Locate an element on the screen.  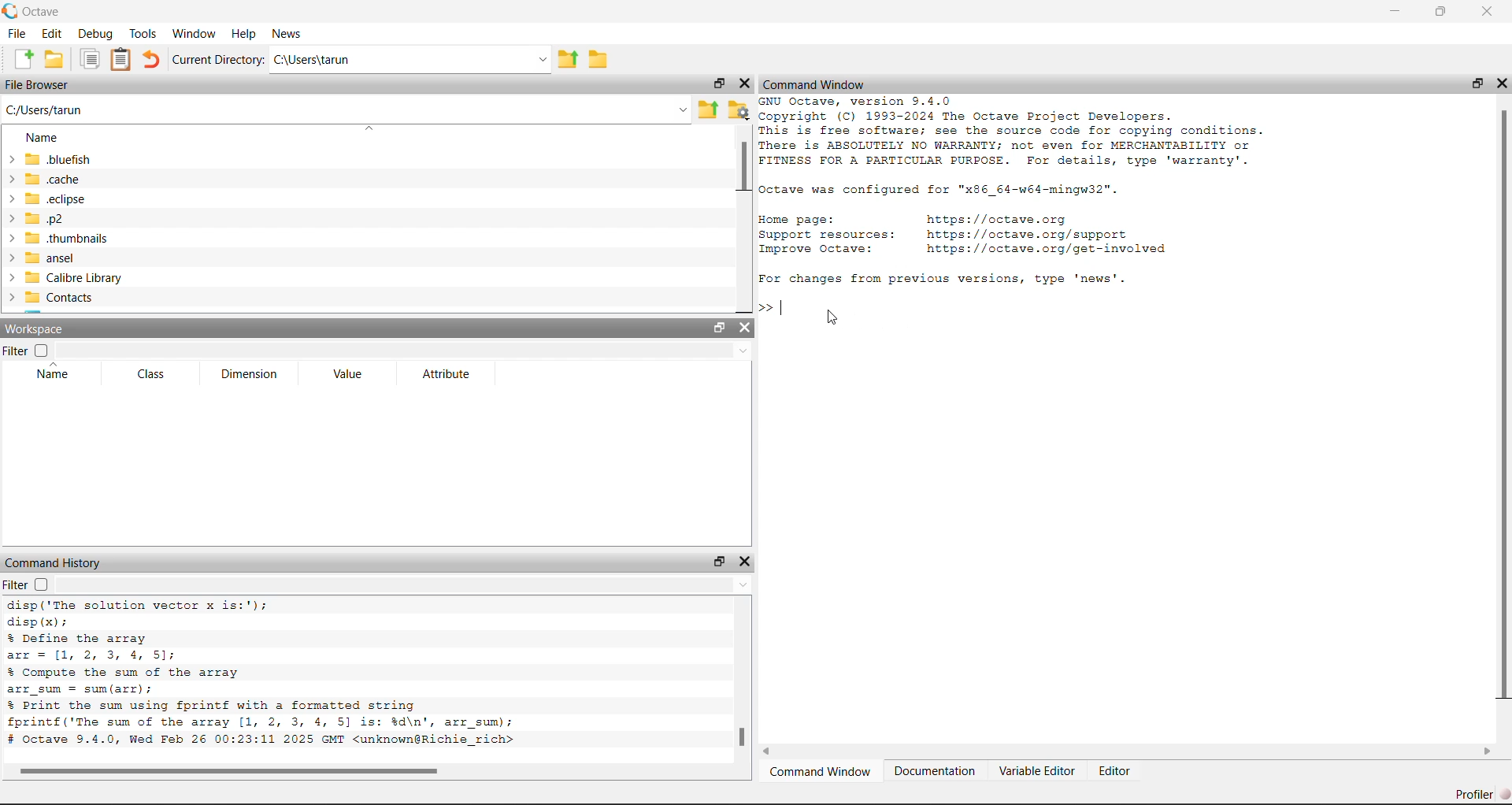
Maximize is located at coordinates (715, 328).